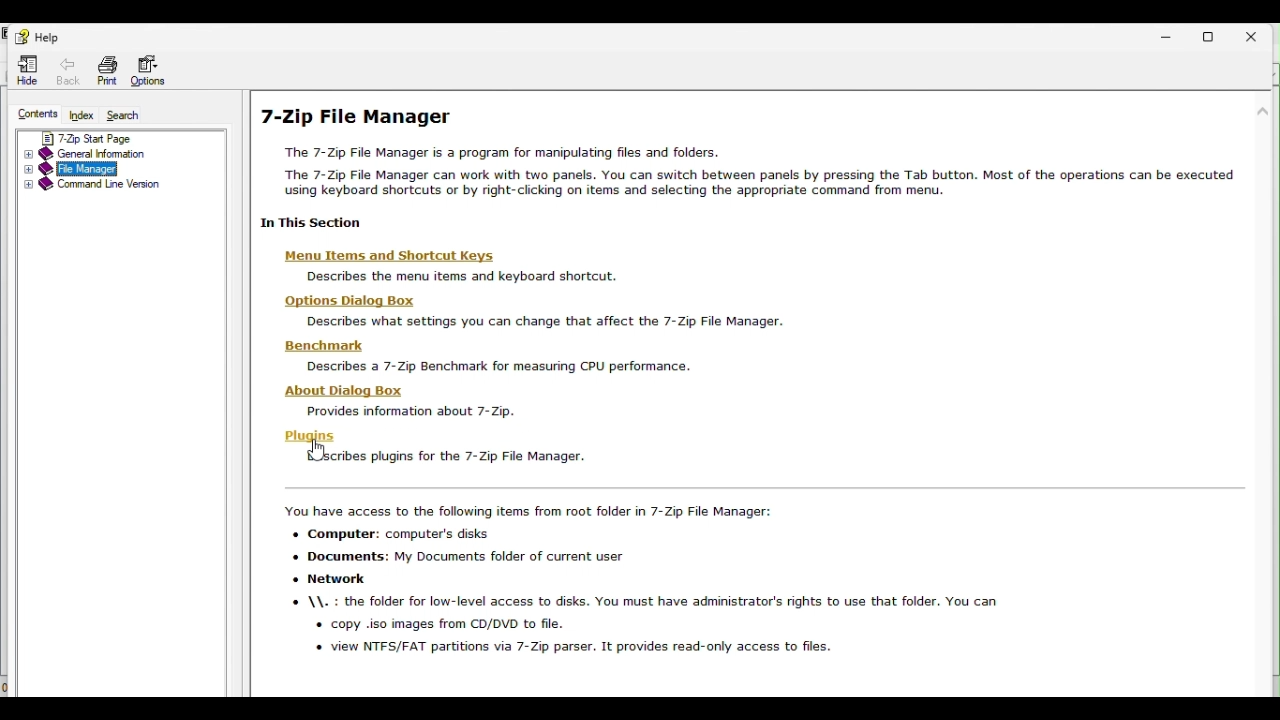  What do you see at coordinates (1215, 35) in the screenshot?
I see `restore` at bounding box center [1215, 35].